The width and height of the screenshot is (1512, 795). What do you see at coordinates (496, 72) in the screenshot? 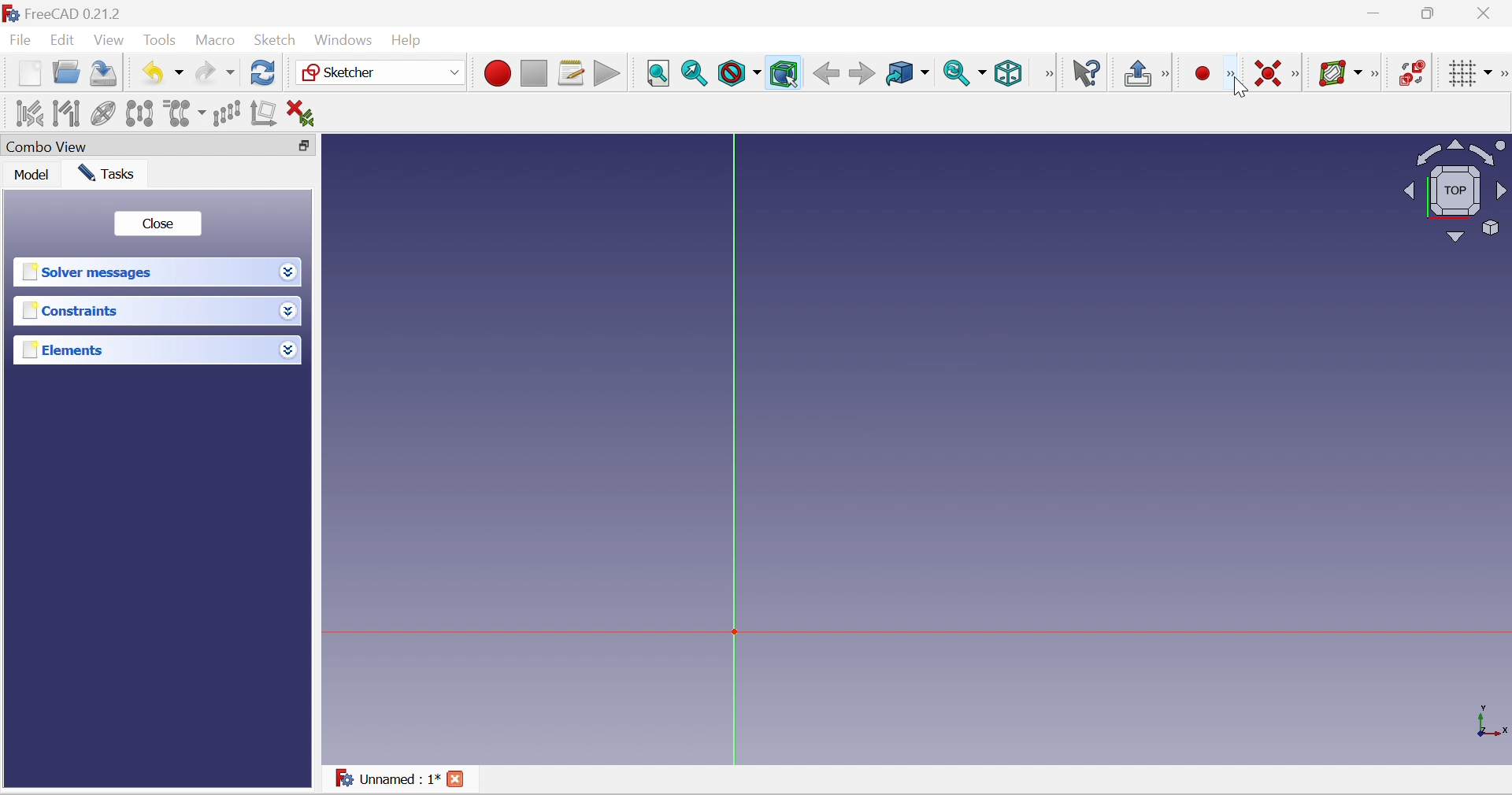
I see `Macro recording` at bounding box center [496, 72].